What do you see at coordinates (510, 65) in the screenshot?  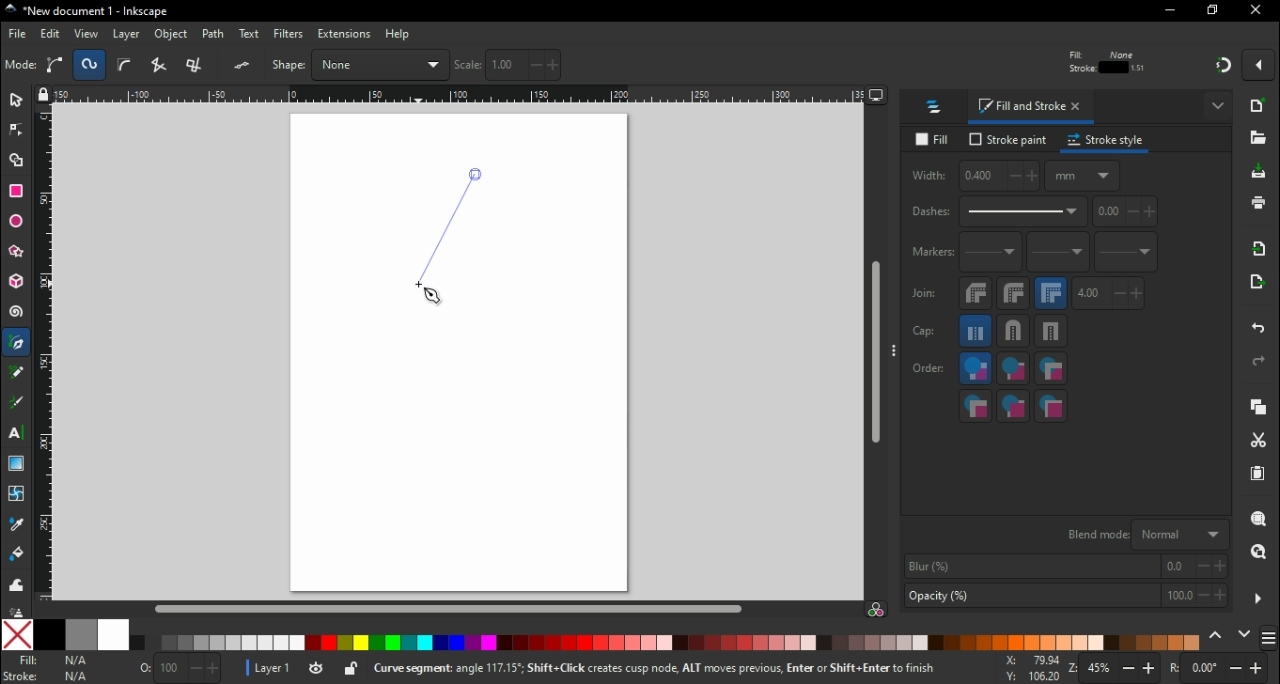 I see `scale` at bounding box center [510, 65].